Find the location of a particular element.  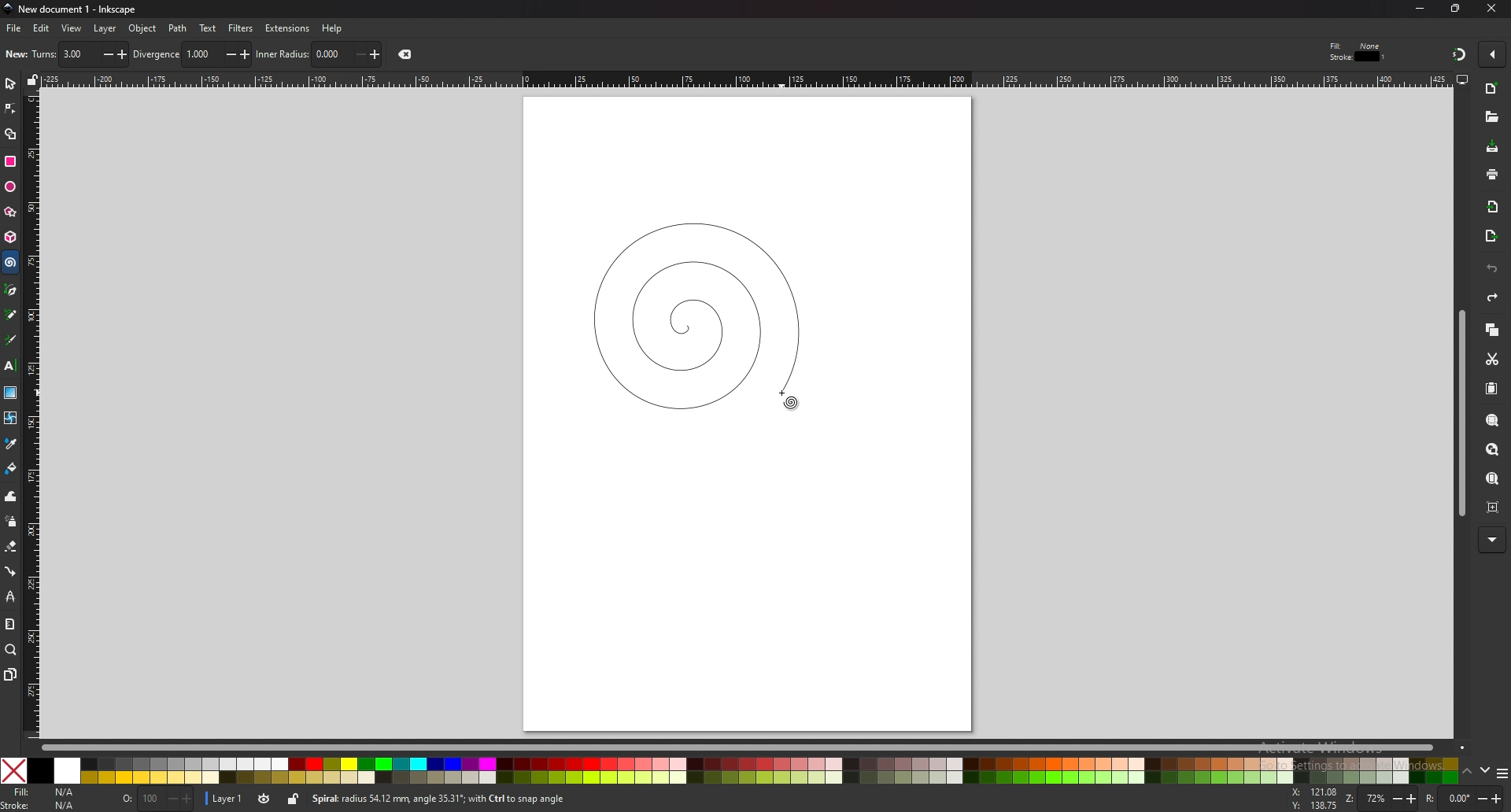

Spiral radius 54.12 mm, angle 33.31%; with Ctrl to snap angle is located at coordinates (444, 799).